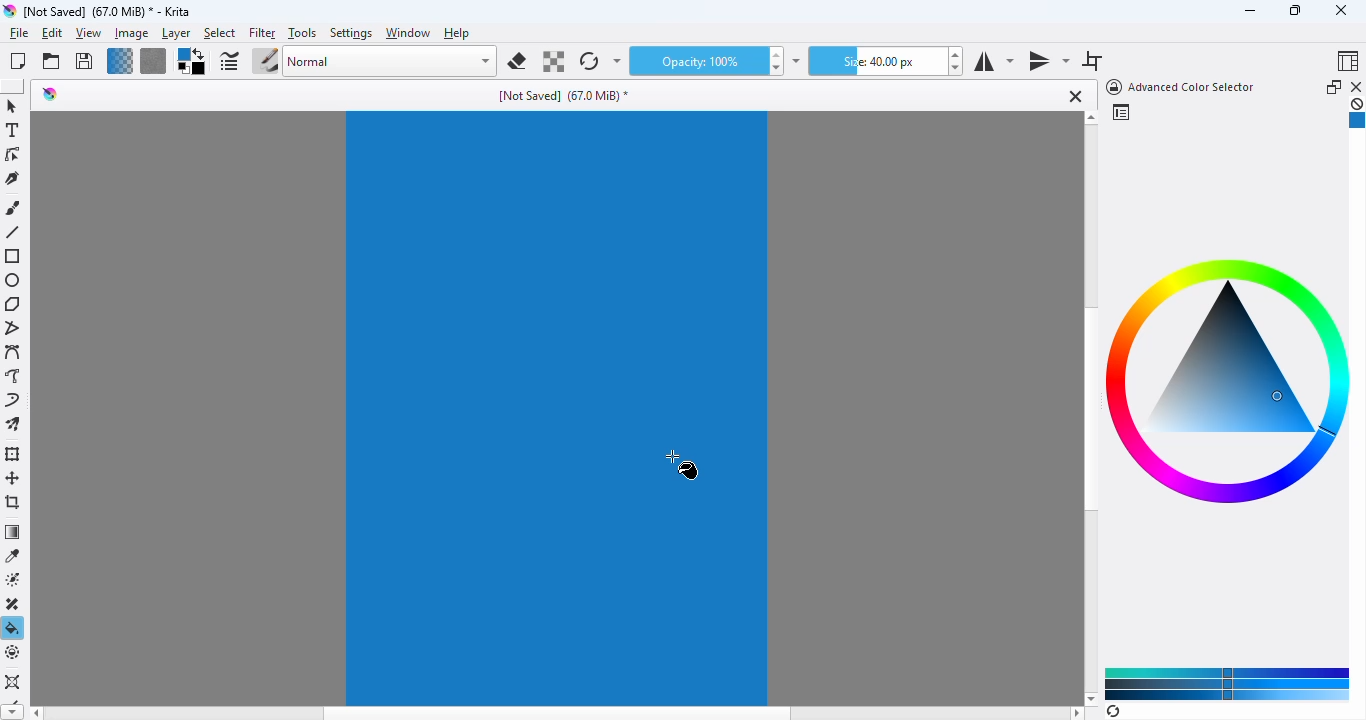  I want to click on smart patch tool, so click(15, 604).